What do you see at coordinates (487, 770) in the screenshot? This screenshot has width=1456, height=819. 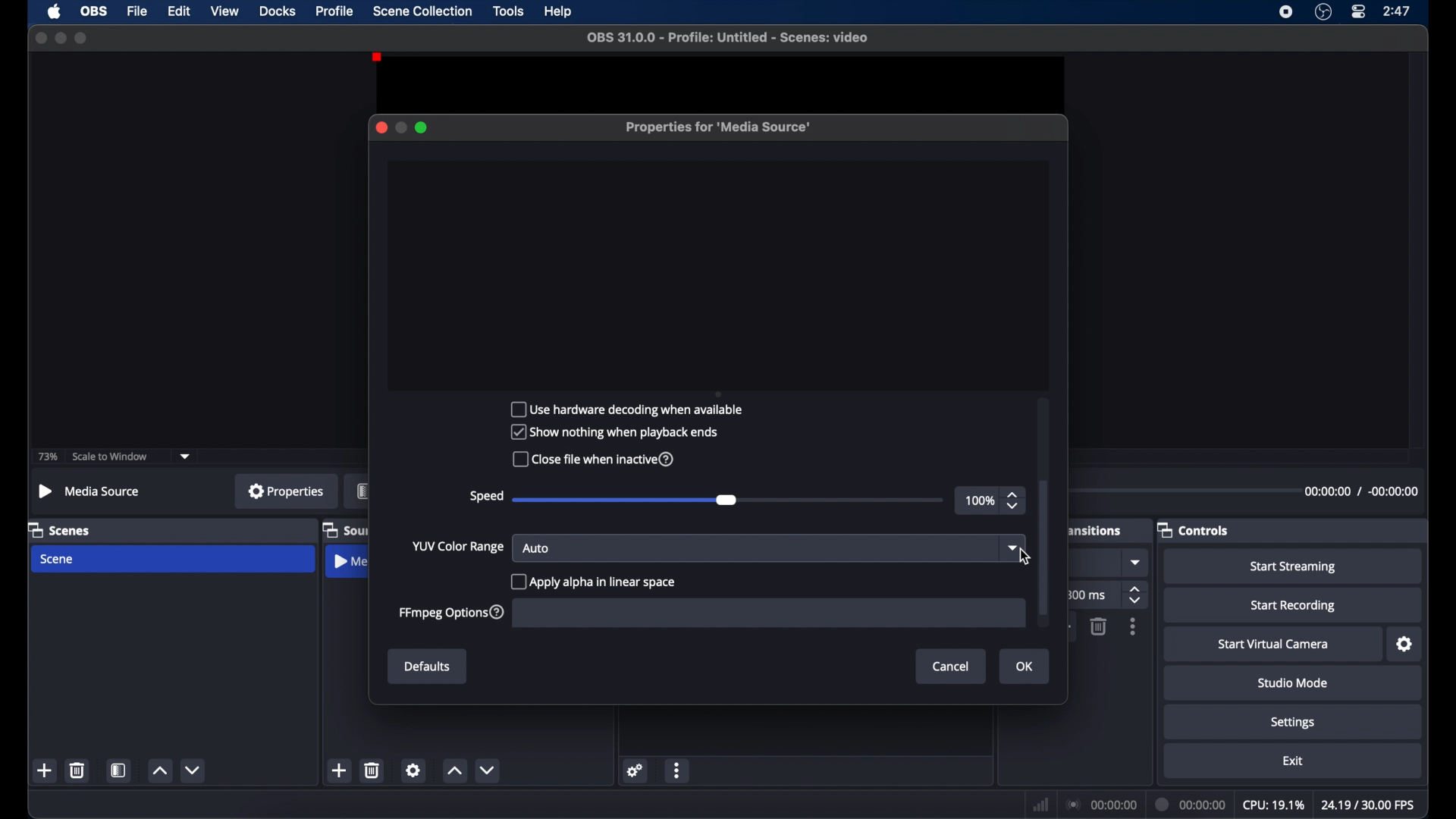 I see `decrement button` at bounding box center [487, 770].